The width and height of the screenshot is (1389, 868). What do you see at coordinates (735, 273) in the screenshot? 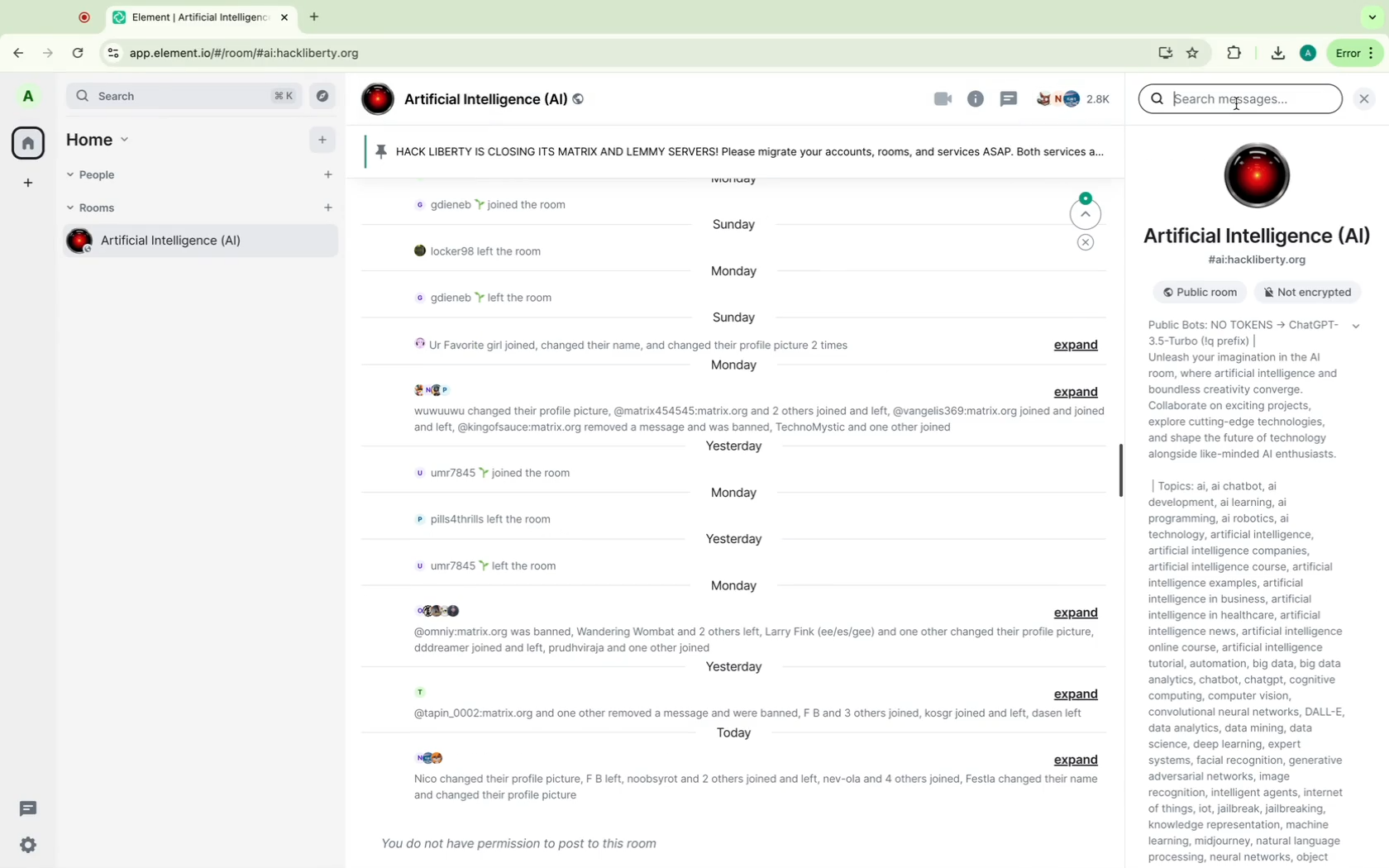
I see `day` at bounding box center [735, 273].